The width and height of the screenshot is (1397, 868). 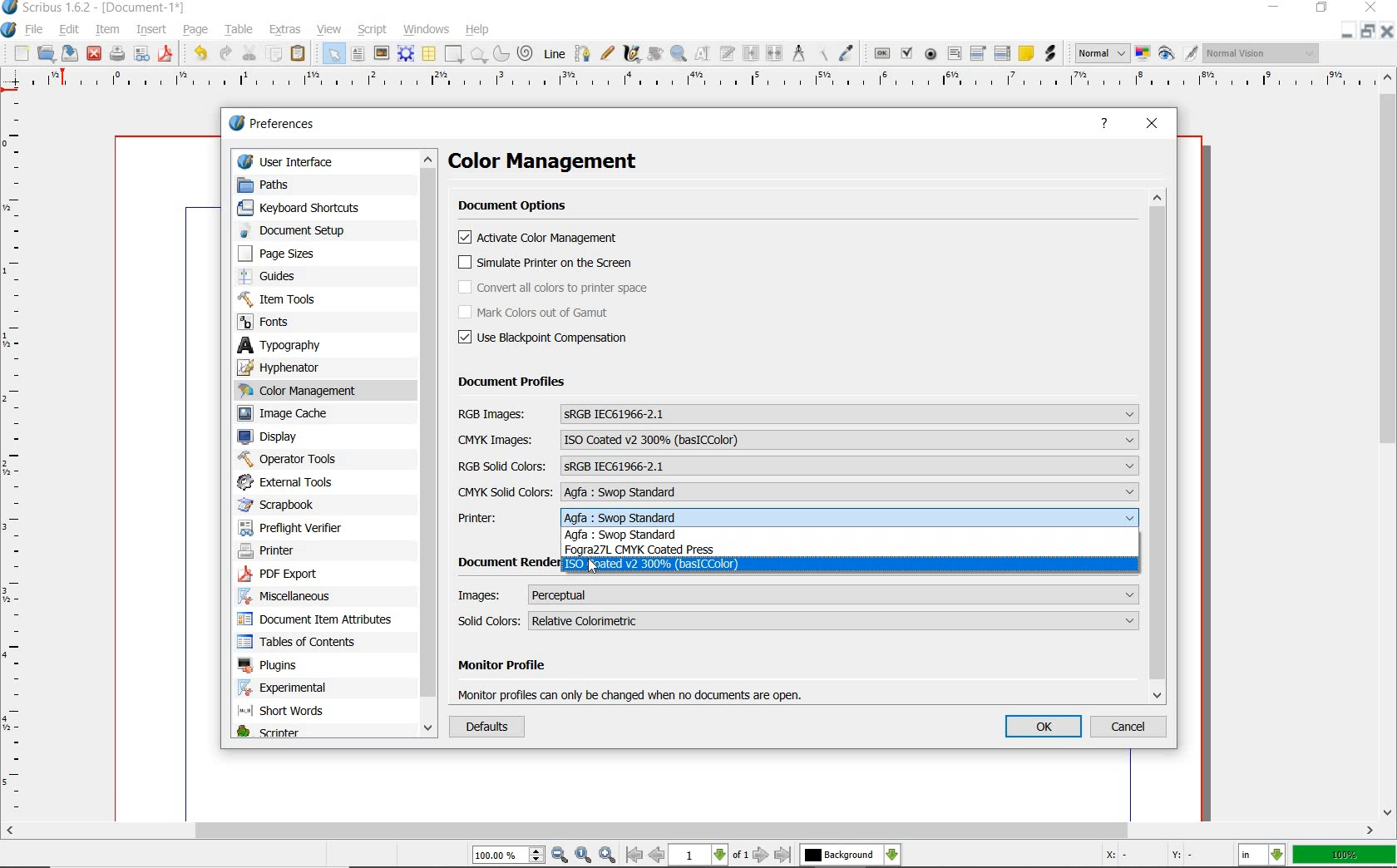 I want to click on close, so click(x=1371, y=8).